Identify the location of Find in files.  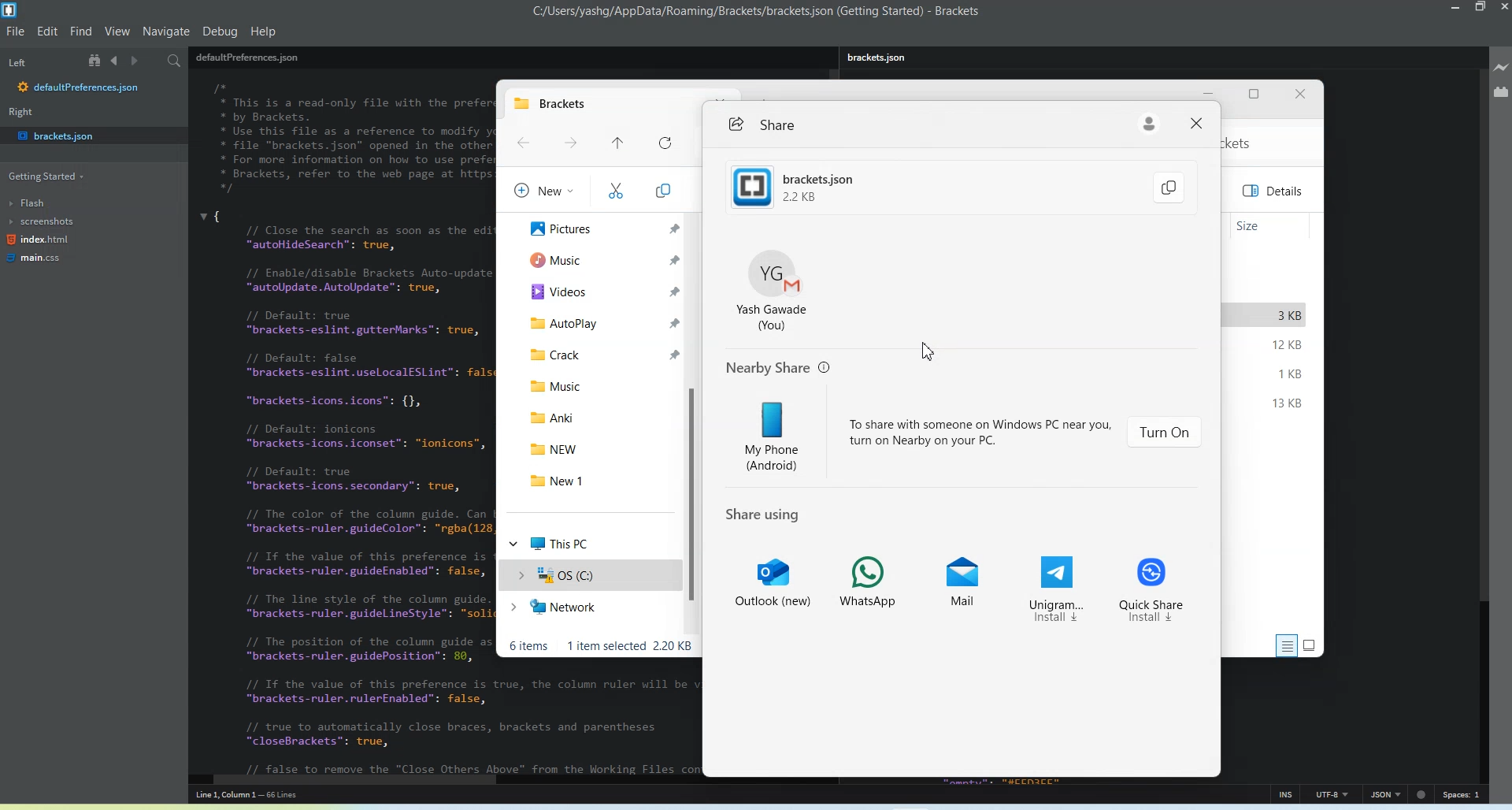
(177, 61).